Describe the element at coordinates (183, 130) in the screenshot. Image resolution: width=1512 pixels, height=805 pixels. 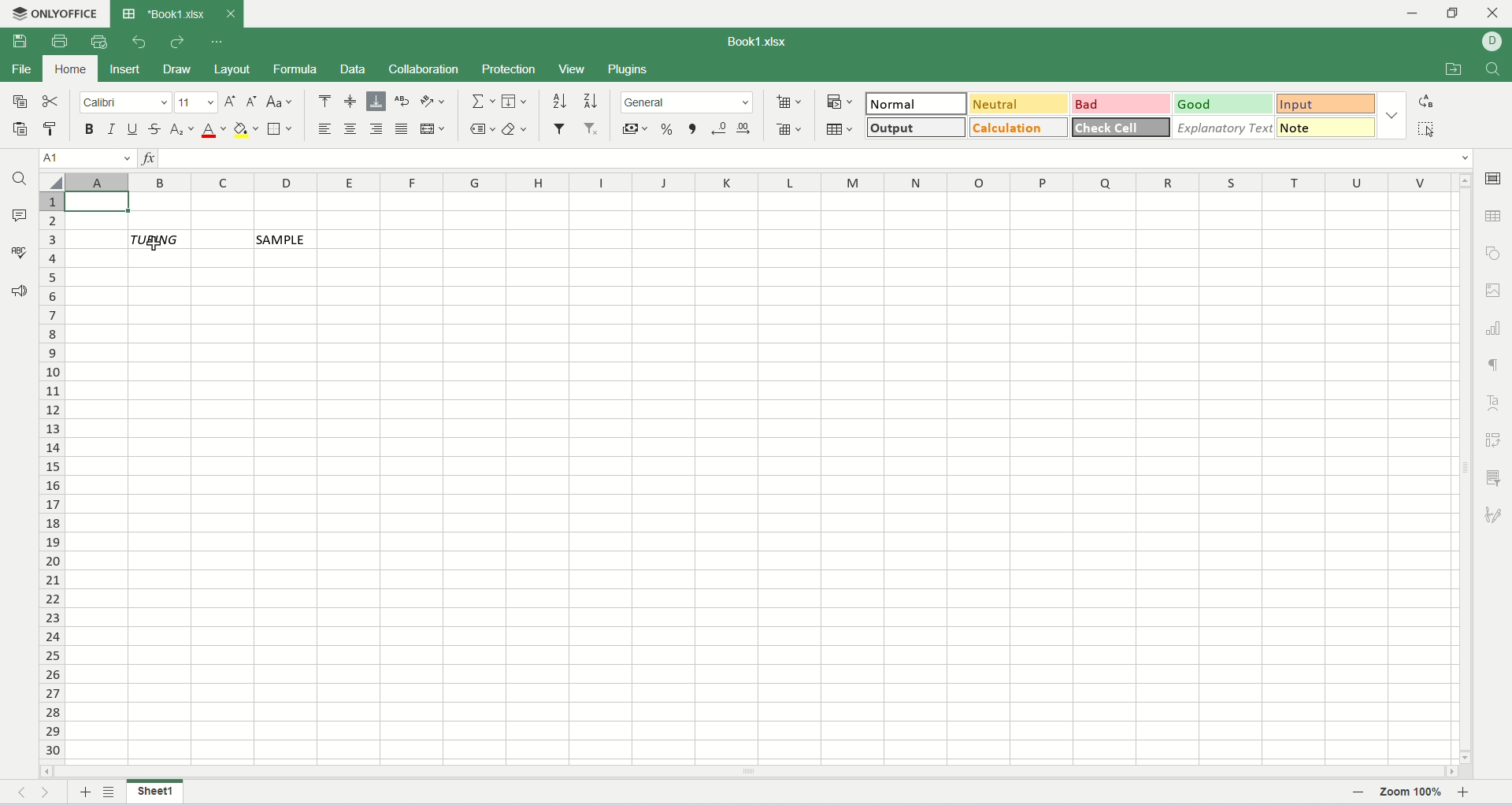
I see `subscript` at that location.